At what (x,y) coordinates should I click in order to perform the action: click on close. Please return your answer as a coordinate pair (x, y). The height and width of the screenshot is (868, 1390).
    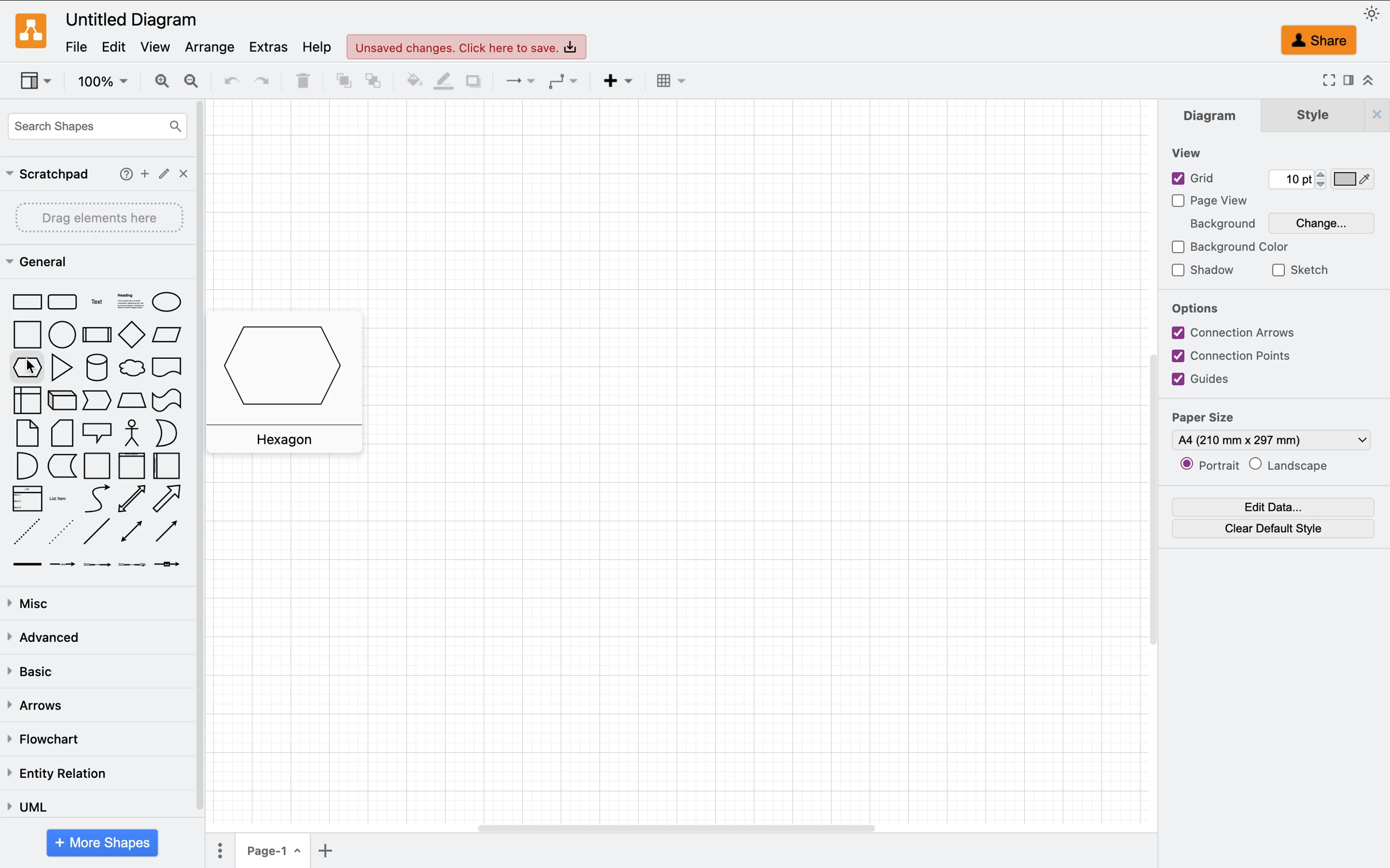
    Looking at the image, I should click on (183, 173).